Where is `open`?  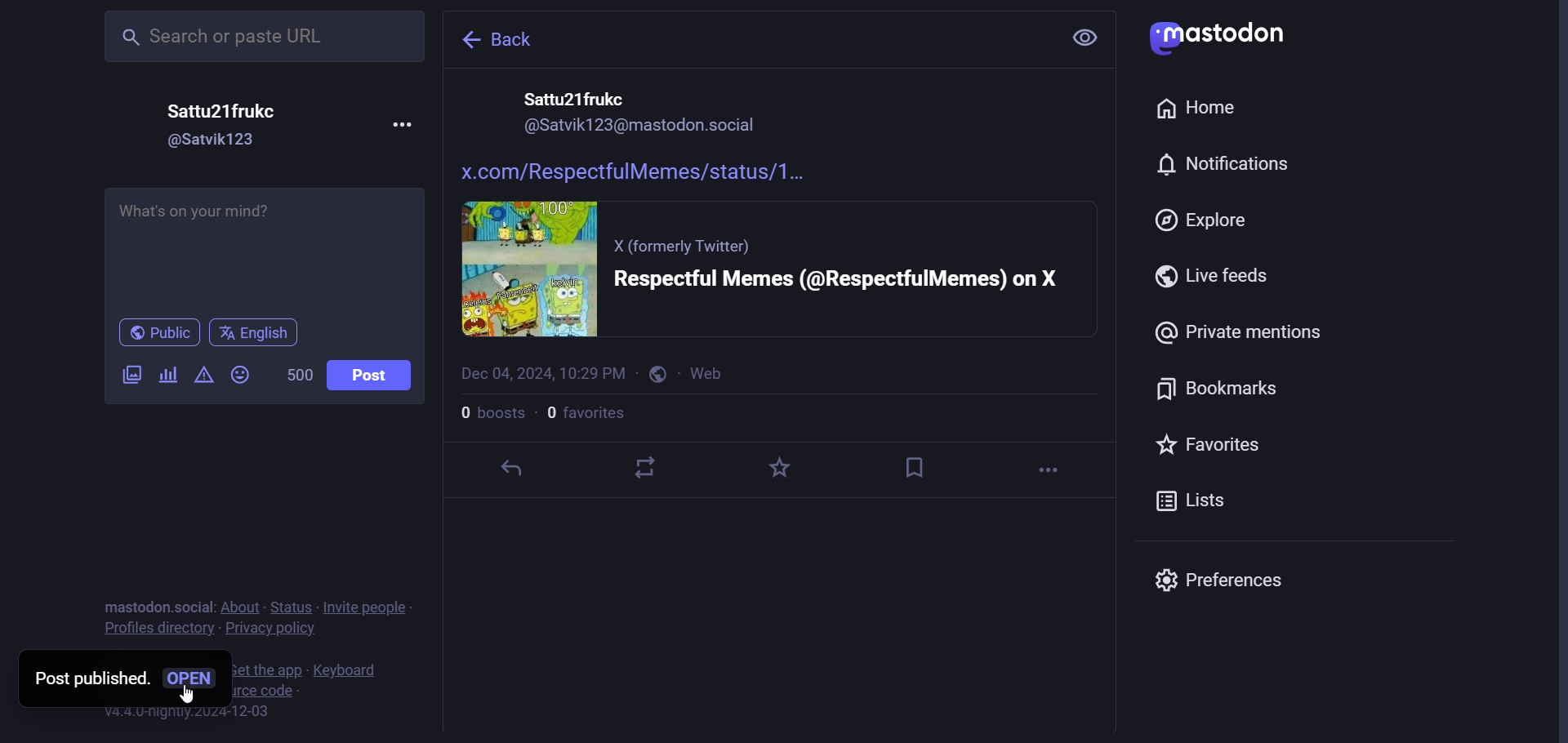 open is located at coordinates (191, 676).